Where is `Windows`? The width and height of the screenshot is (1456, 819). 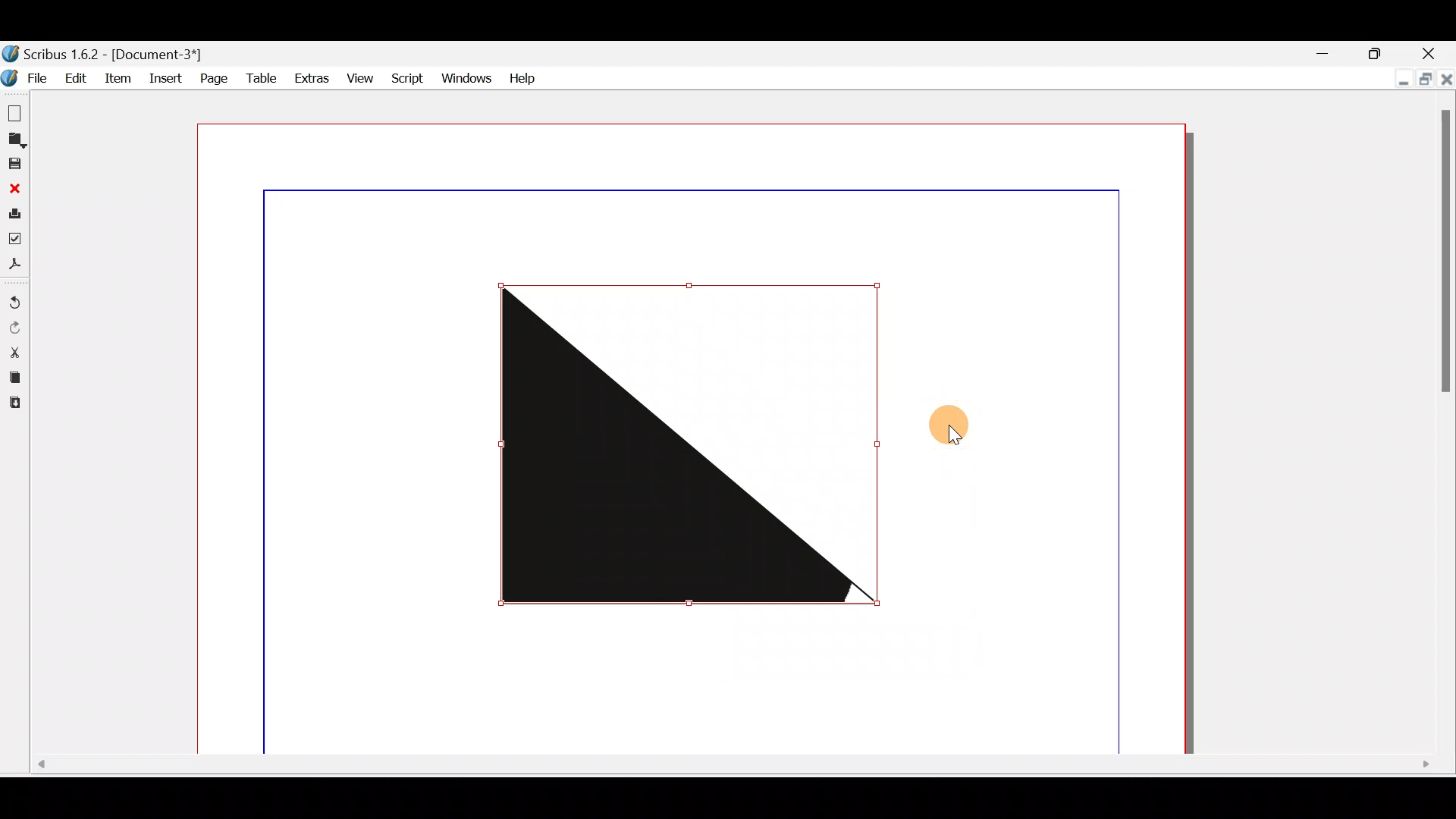
Windows is located at coordinates (464, 75).